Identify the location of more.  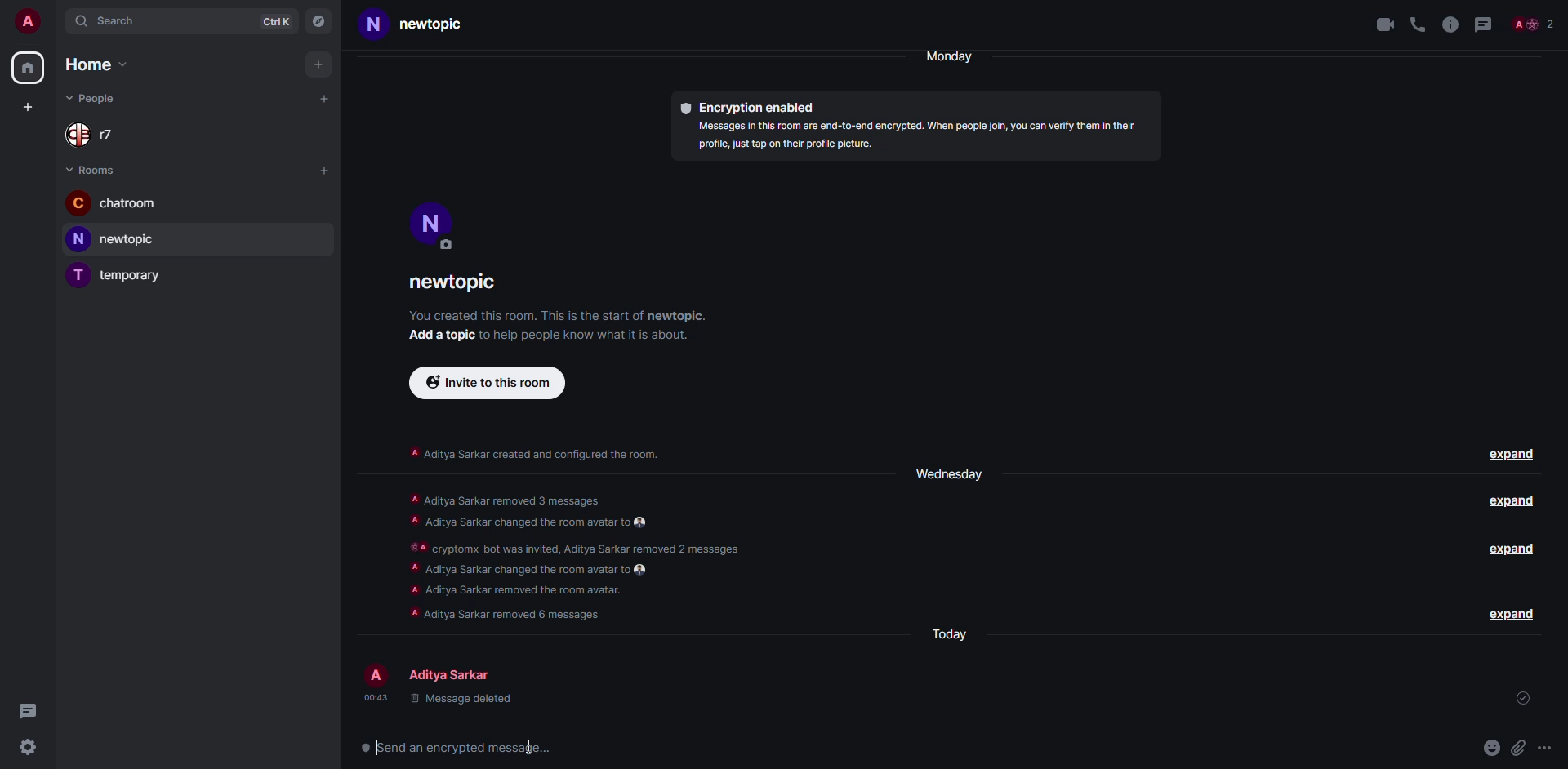
(1545, 748).